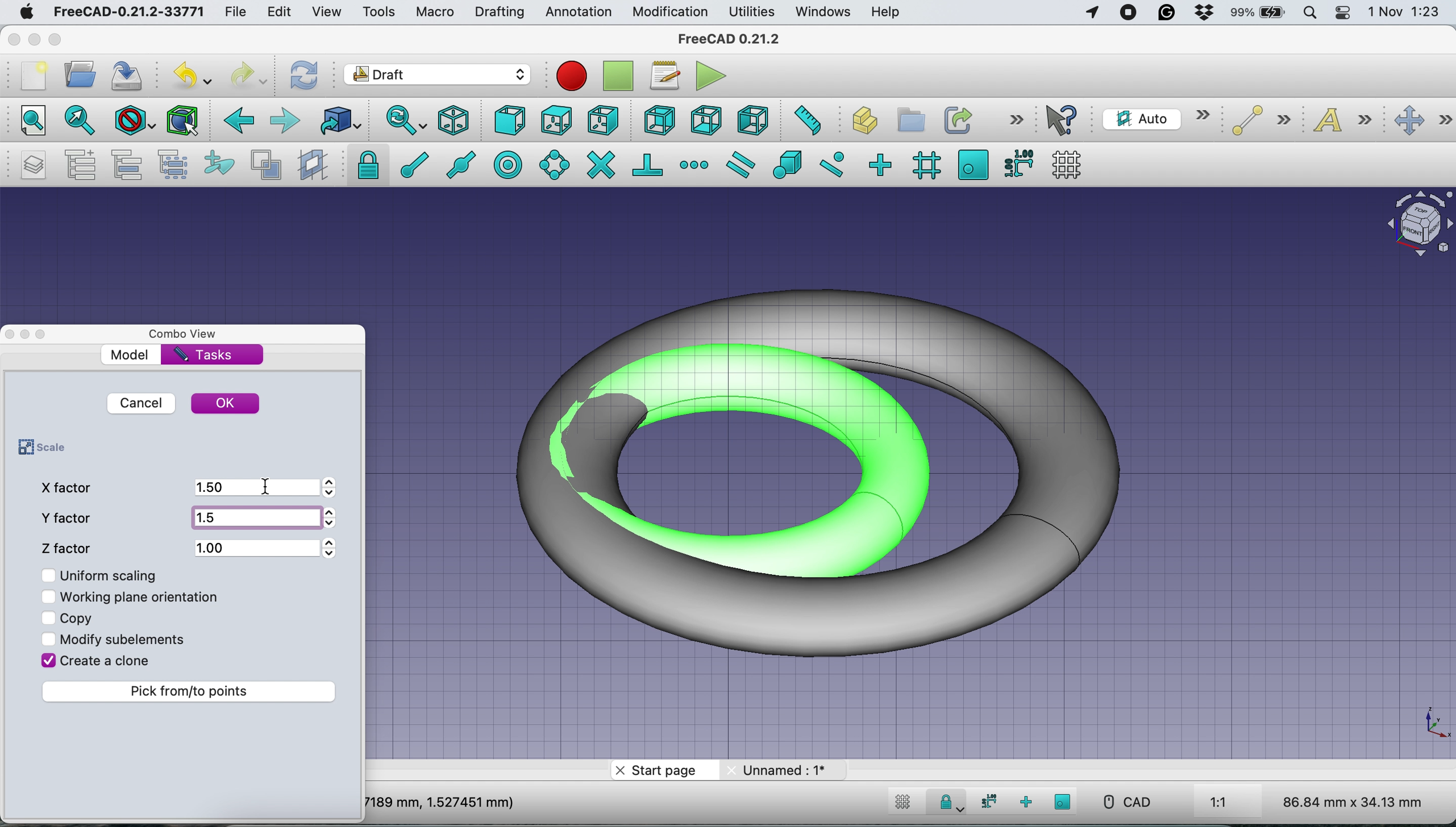 This screenshot has height=827, width=1456. What do you see at coordinates (441, 801) in the screenshot?
I see `7189 mm, 1.527451 mm)` at bounding box center [441, 801].